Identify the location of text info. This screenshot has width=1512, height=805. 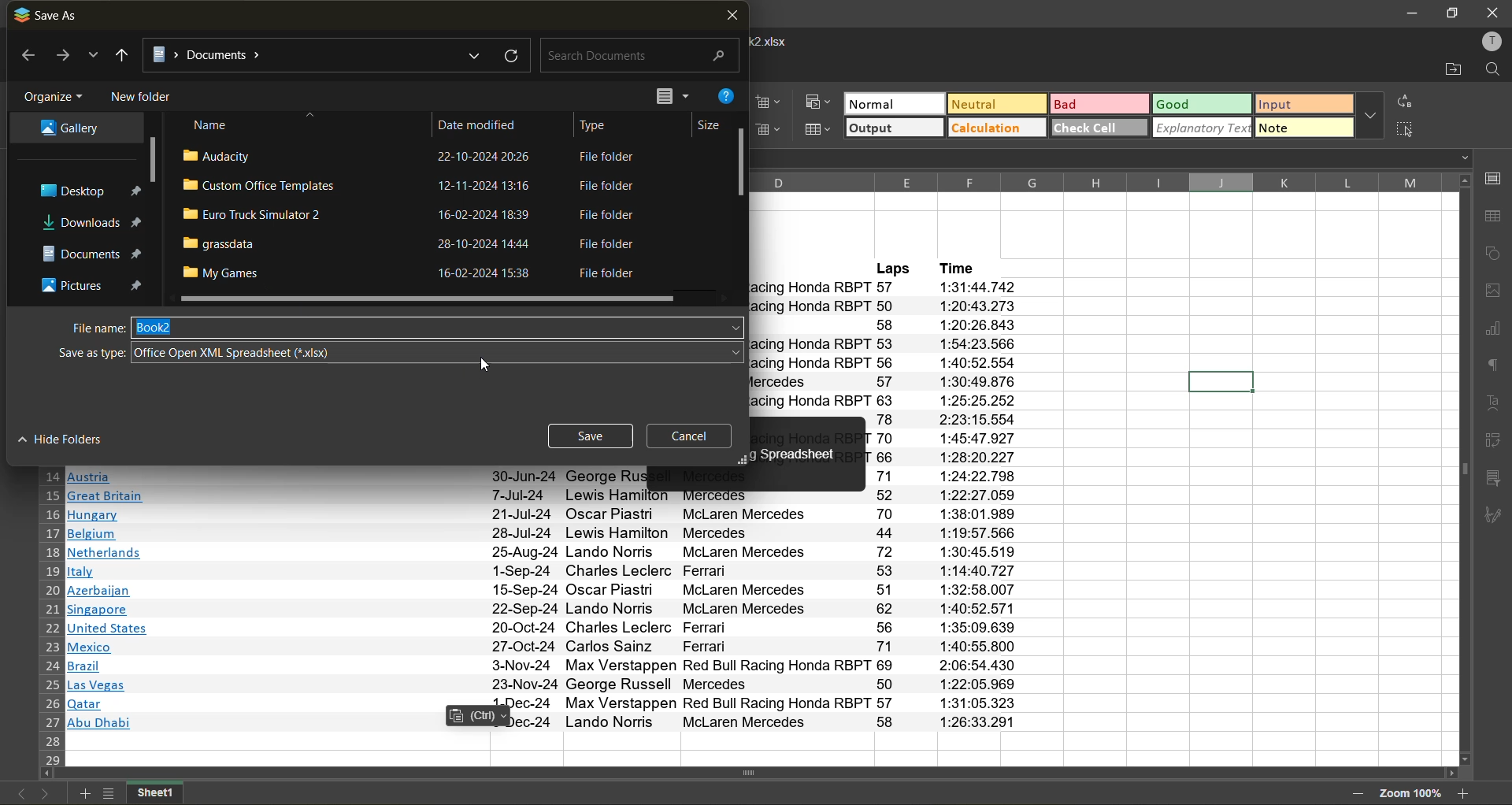
(543, 534).